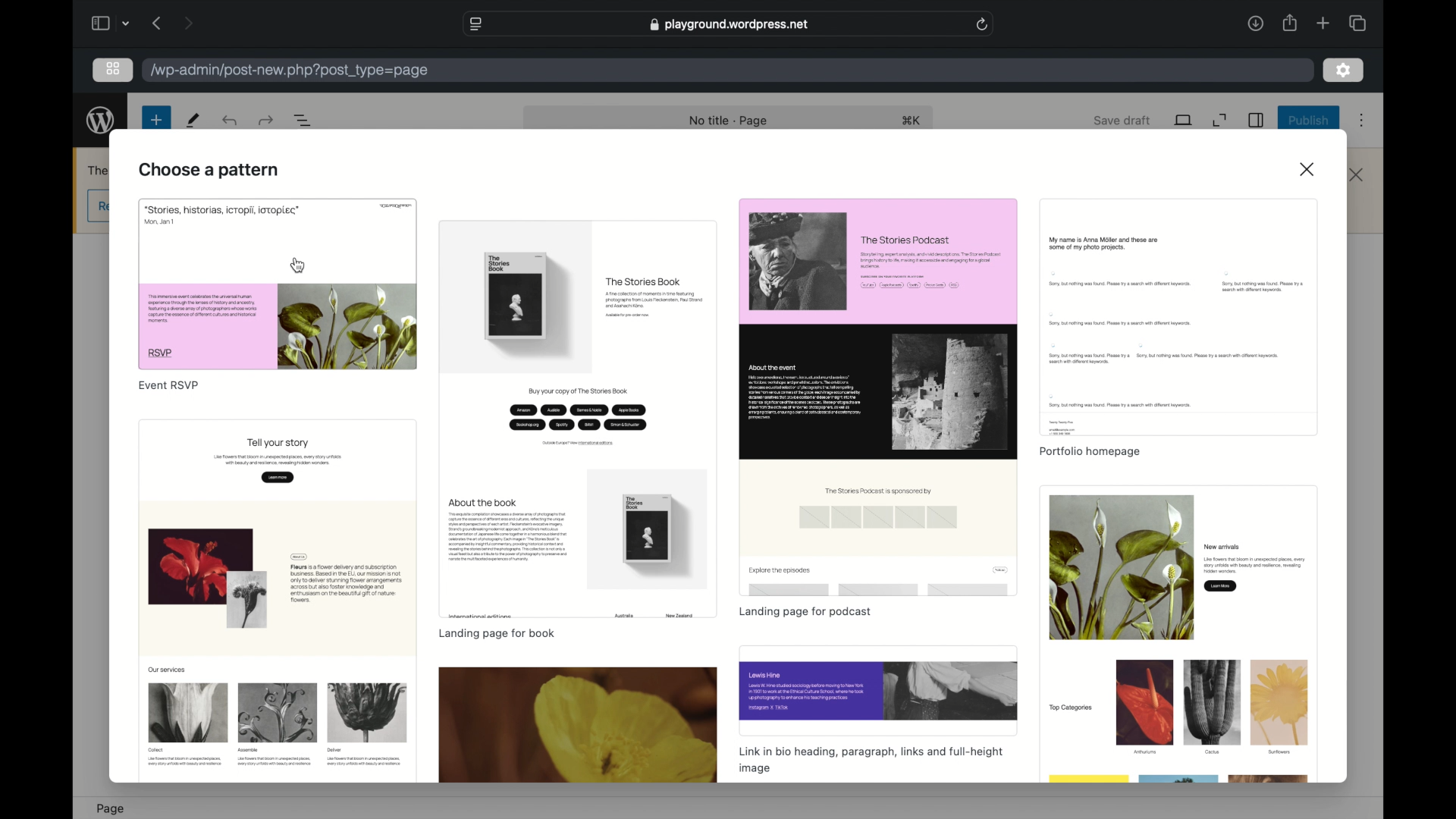 This screenshot has width=1456, height=819. Describe the element at coordinates (1357, 23) in the screenshot. I see `show tab overview` at that location.